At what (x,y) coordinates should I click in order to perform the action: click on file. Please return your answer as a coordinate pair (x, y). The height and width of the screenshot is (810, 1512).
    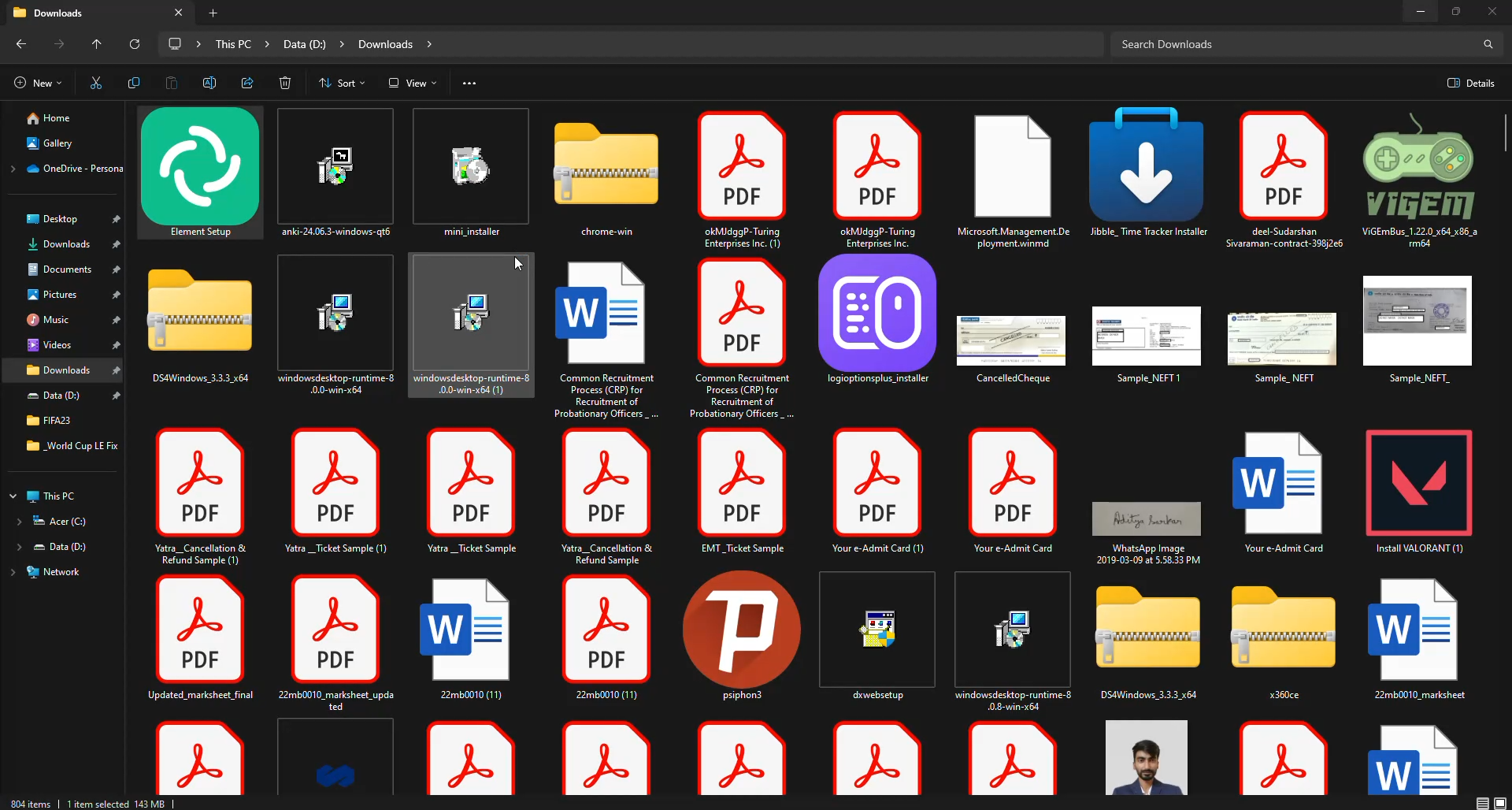
    Looking at the image, I should click on (1021, 180).